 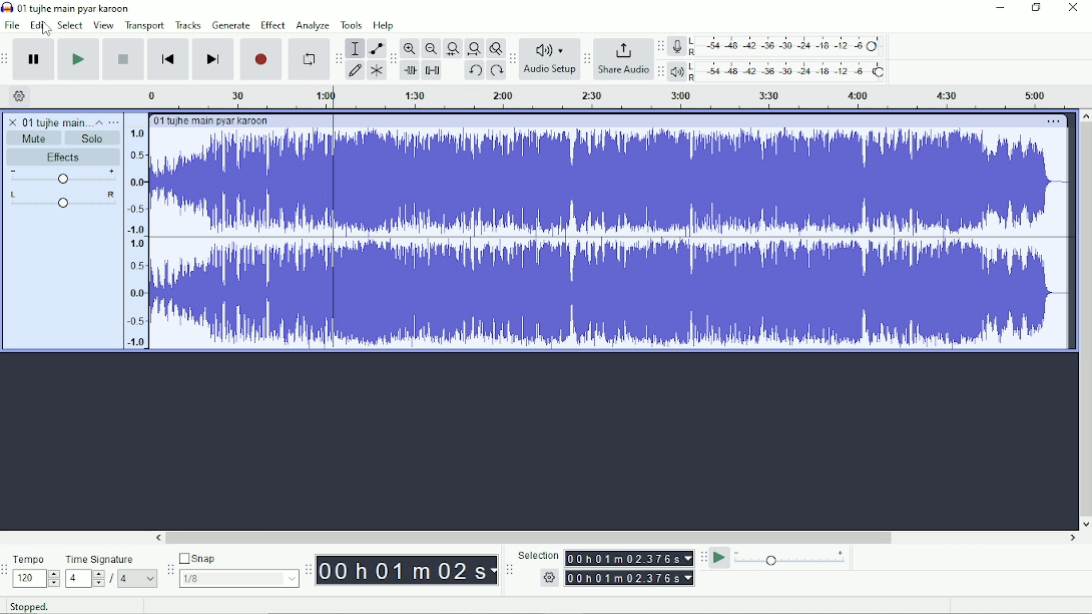 I want to click on Draw tool, so click(x=355, y=70).